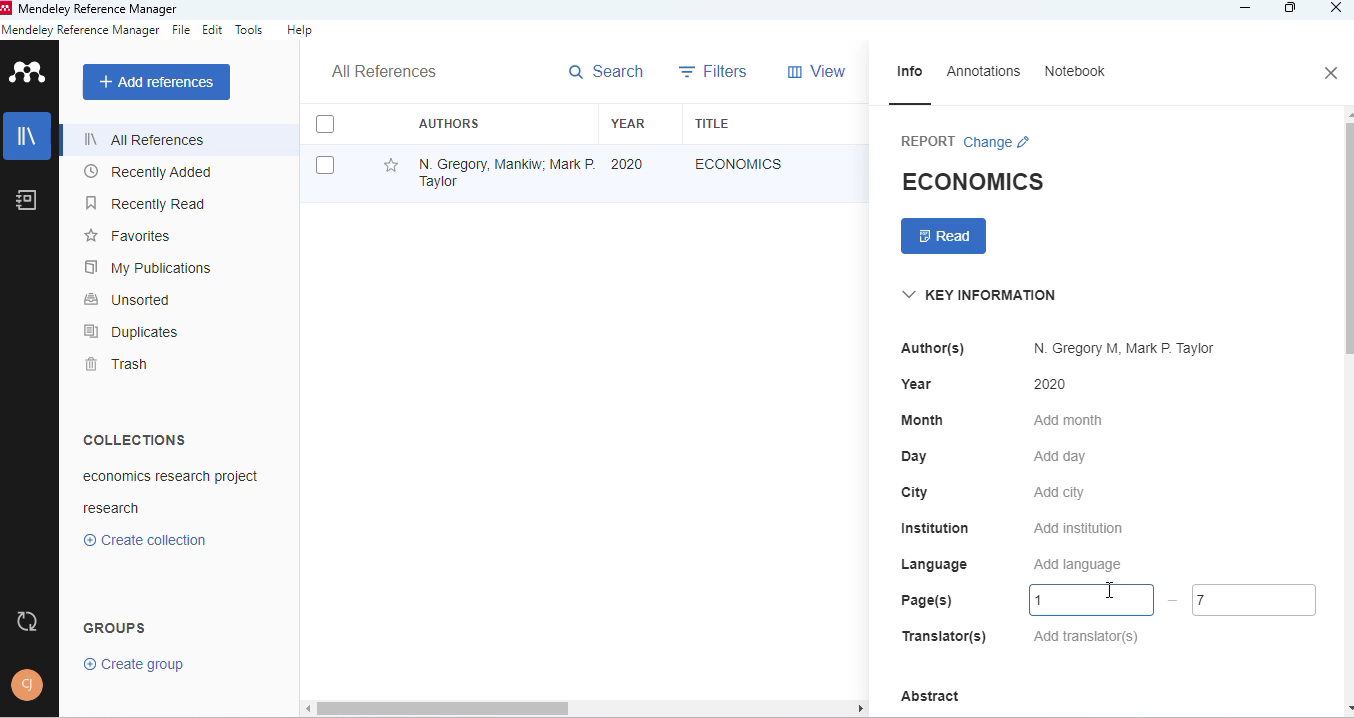 The height and width of the screenshot is (718, 1354). I want to click on cursor, so click(1109, 589).